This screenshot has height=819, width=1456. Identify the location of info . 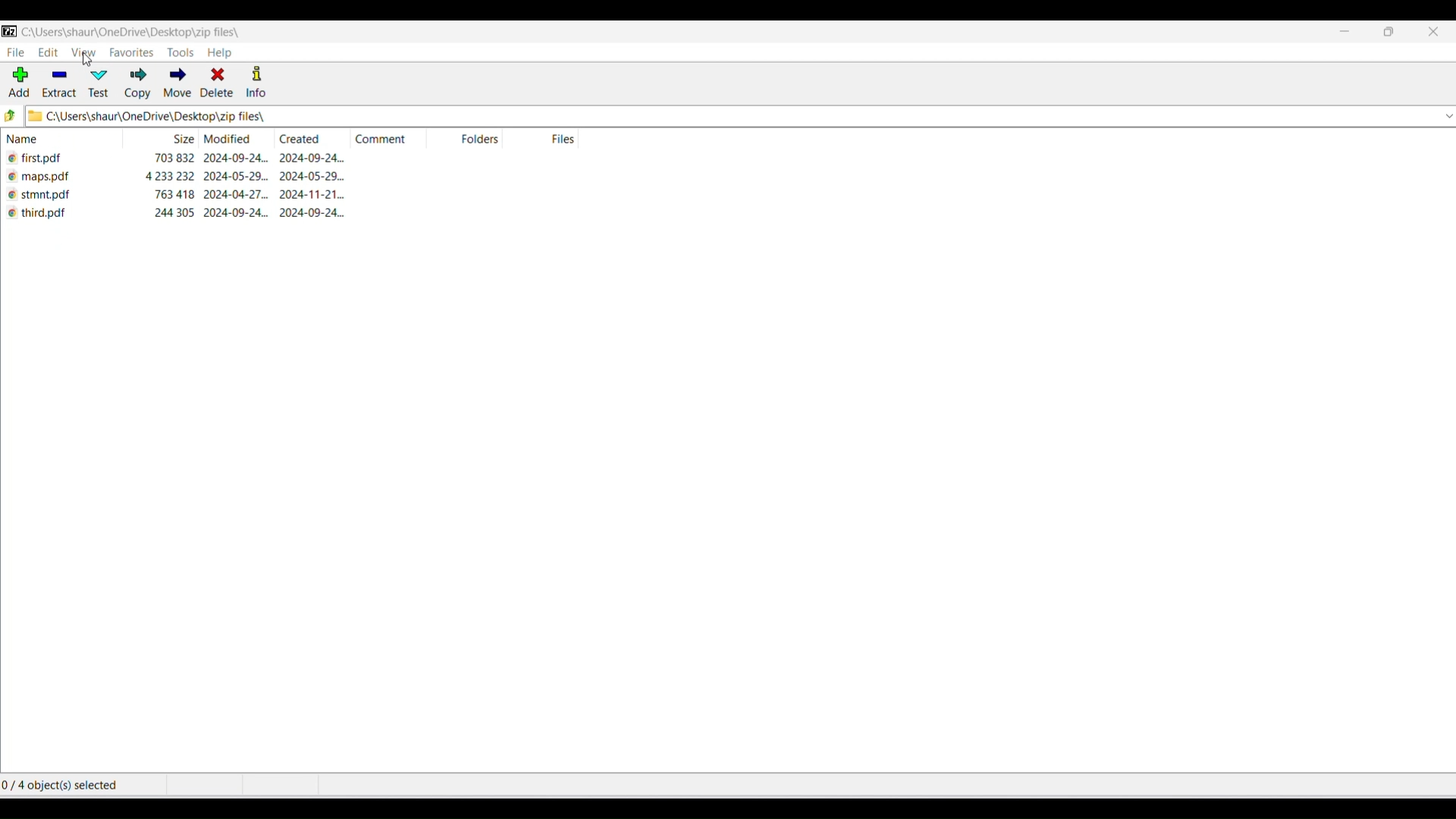
(259, 83).